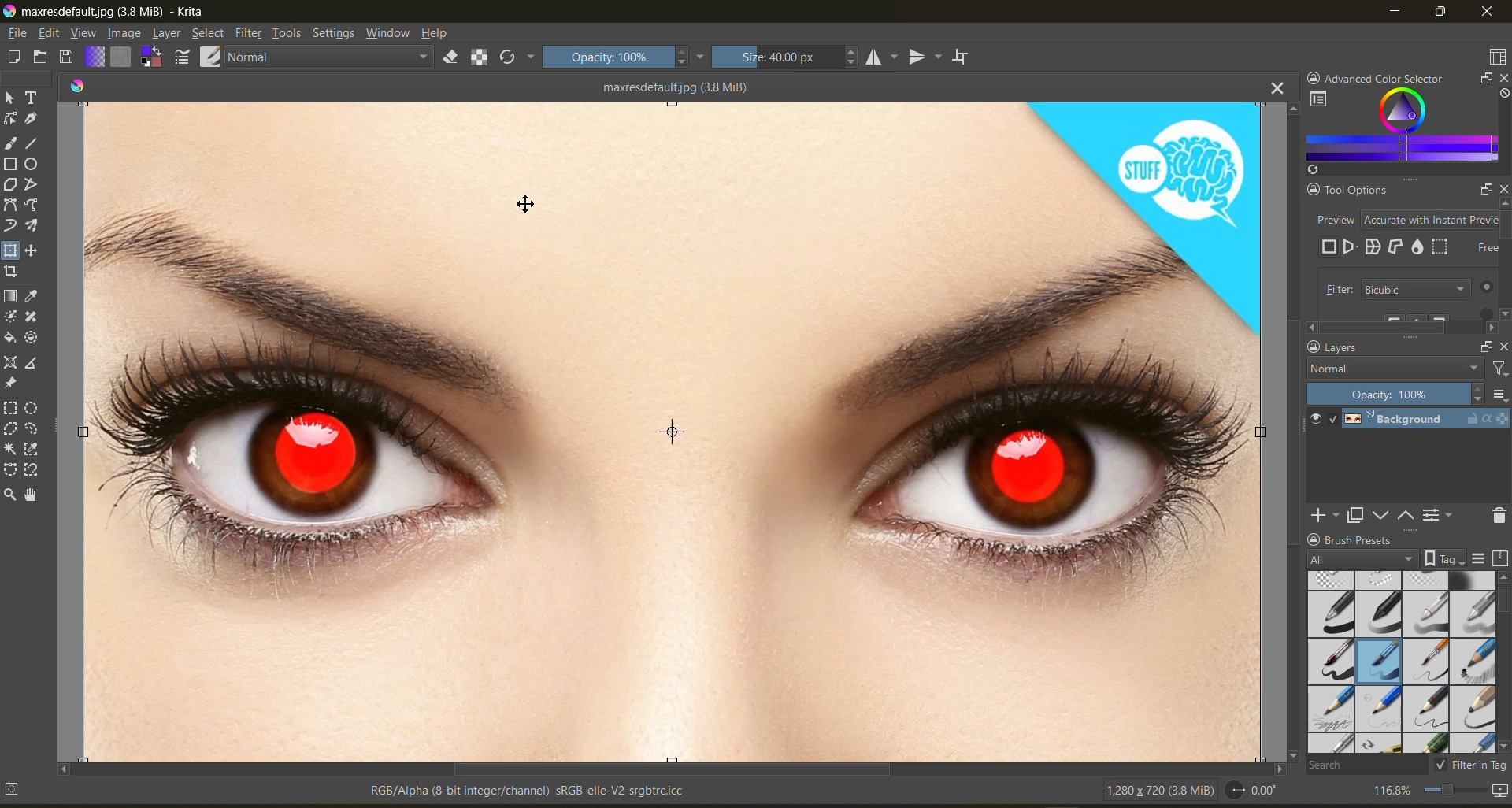 This screenshot has width=1512, height=808. Describe the element at coordinates (78, 83) in the screenshot. I see `colors` at that location.